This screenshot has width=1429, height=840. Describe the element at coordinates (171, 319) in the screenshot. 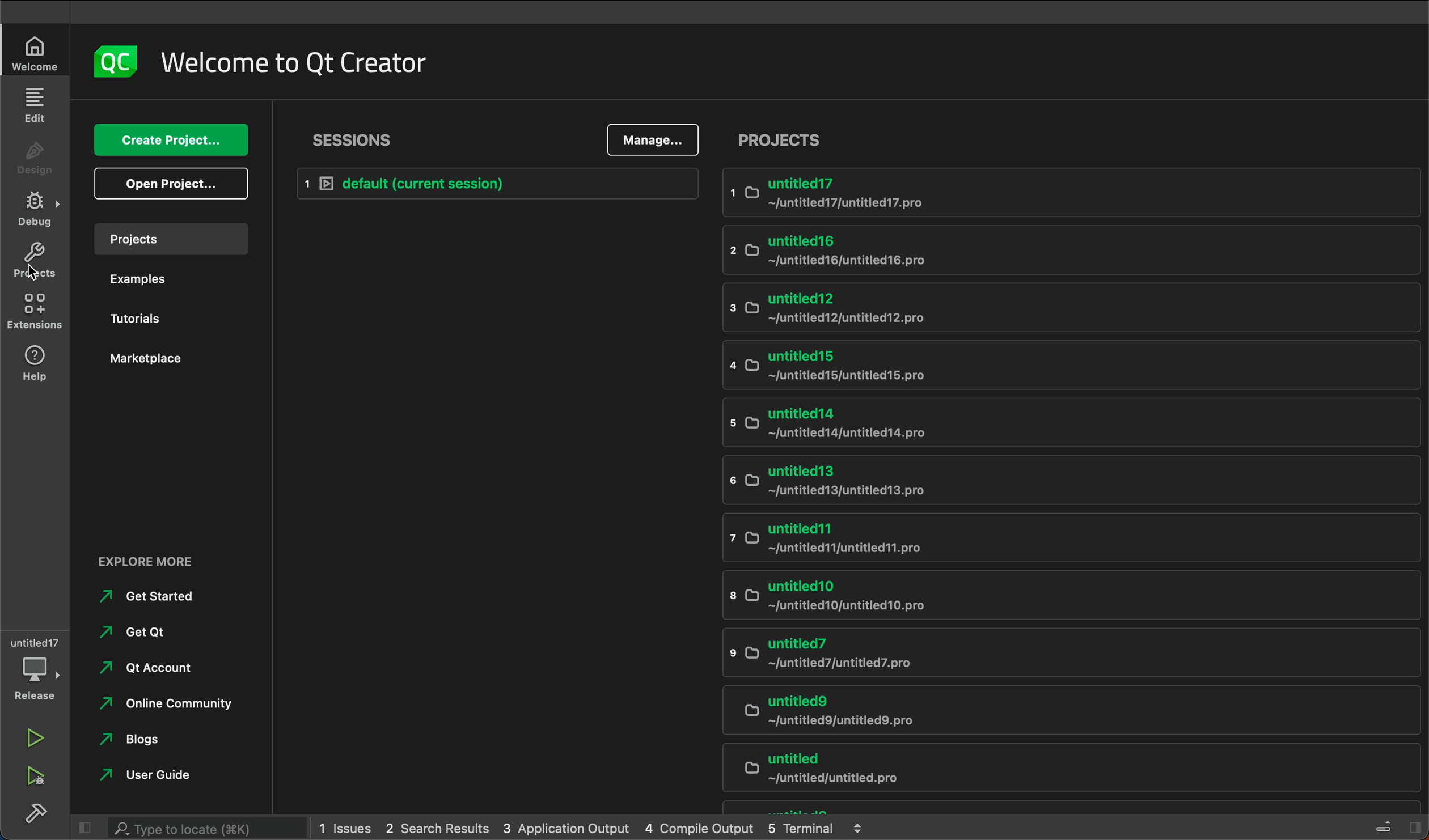

I see `tutorials` at that location.